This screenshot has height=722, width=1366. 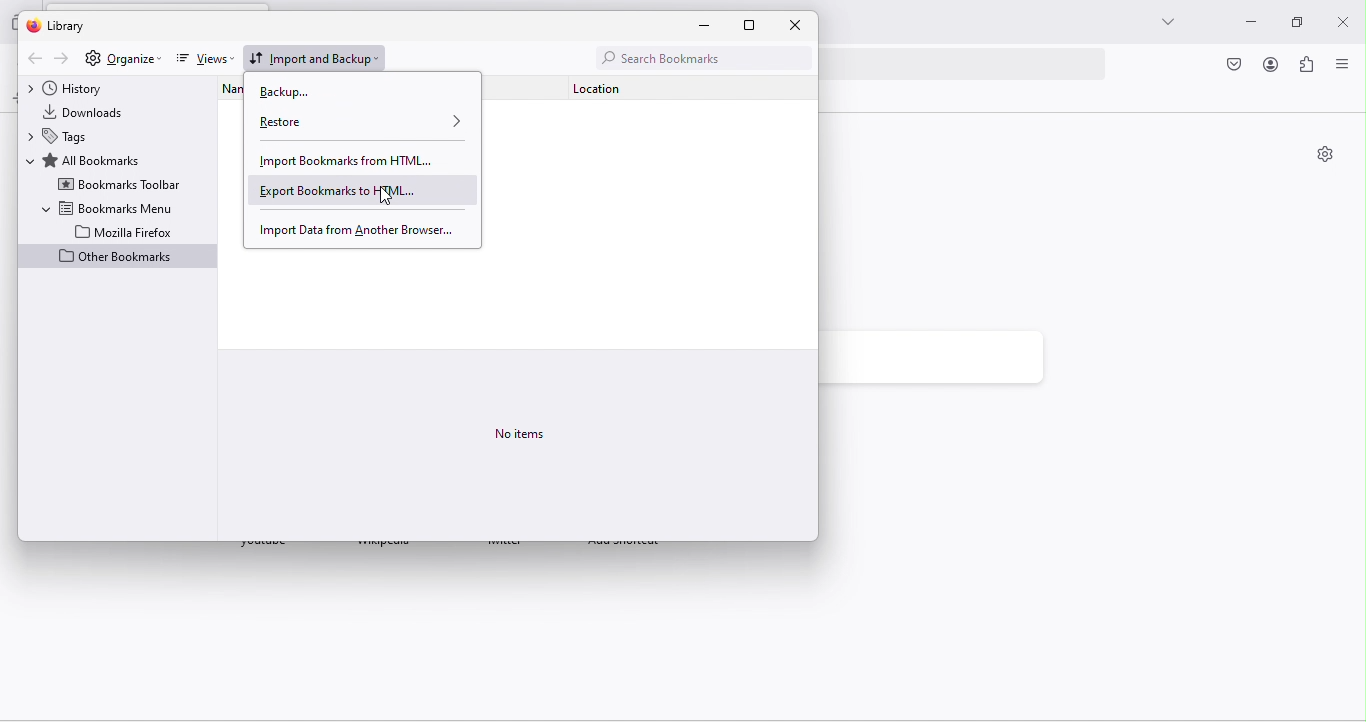 What do you see at coordinates (224, 86) in the screenshot?
I see `name` at bounding box center [224, 86].